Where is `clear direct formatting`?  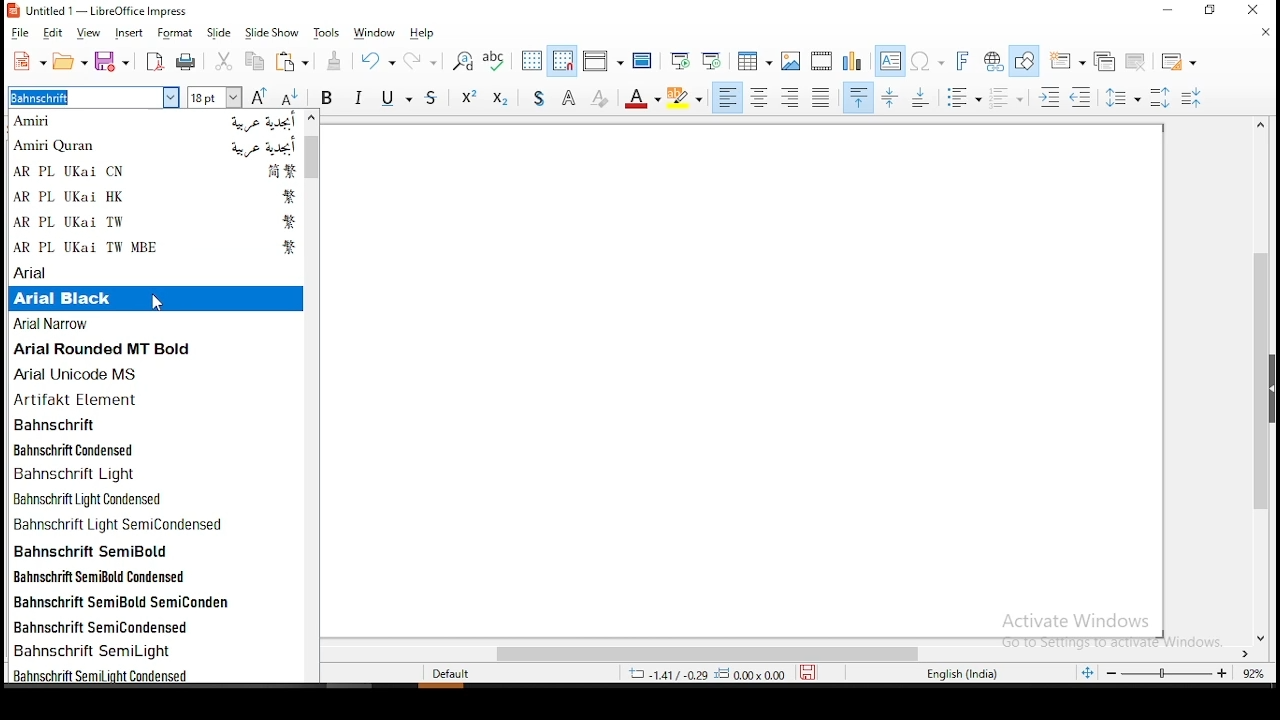
clear direct formatting is located at coordinates (602, 99).